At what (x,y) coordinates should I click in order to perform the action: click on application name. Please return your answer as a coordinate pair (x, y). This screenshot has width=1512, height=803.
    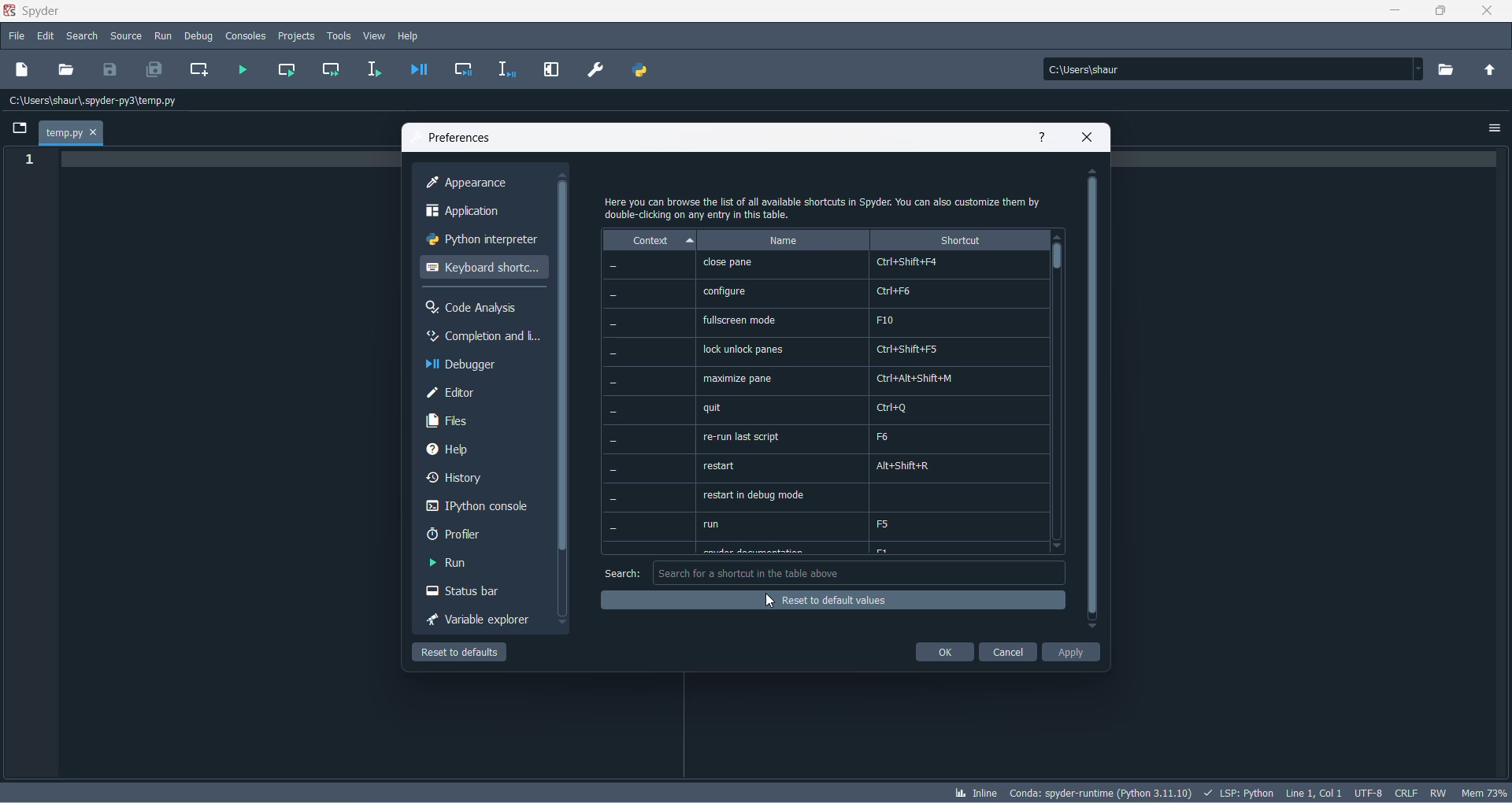
    Looking at the image, I should click on (34, 9).